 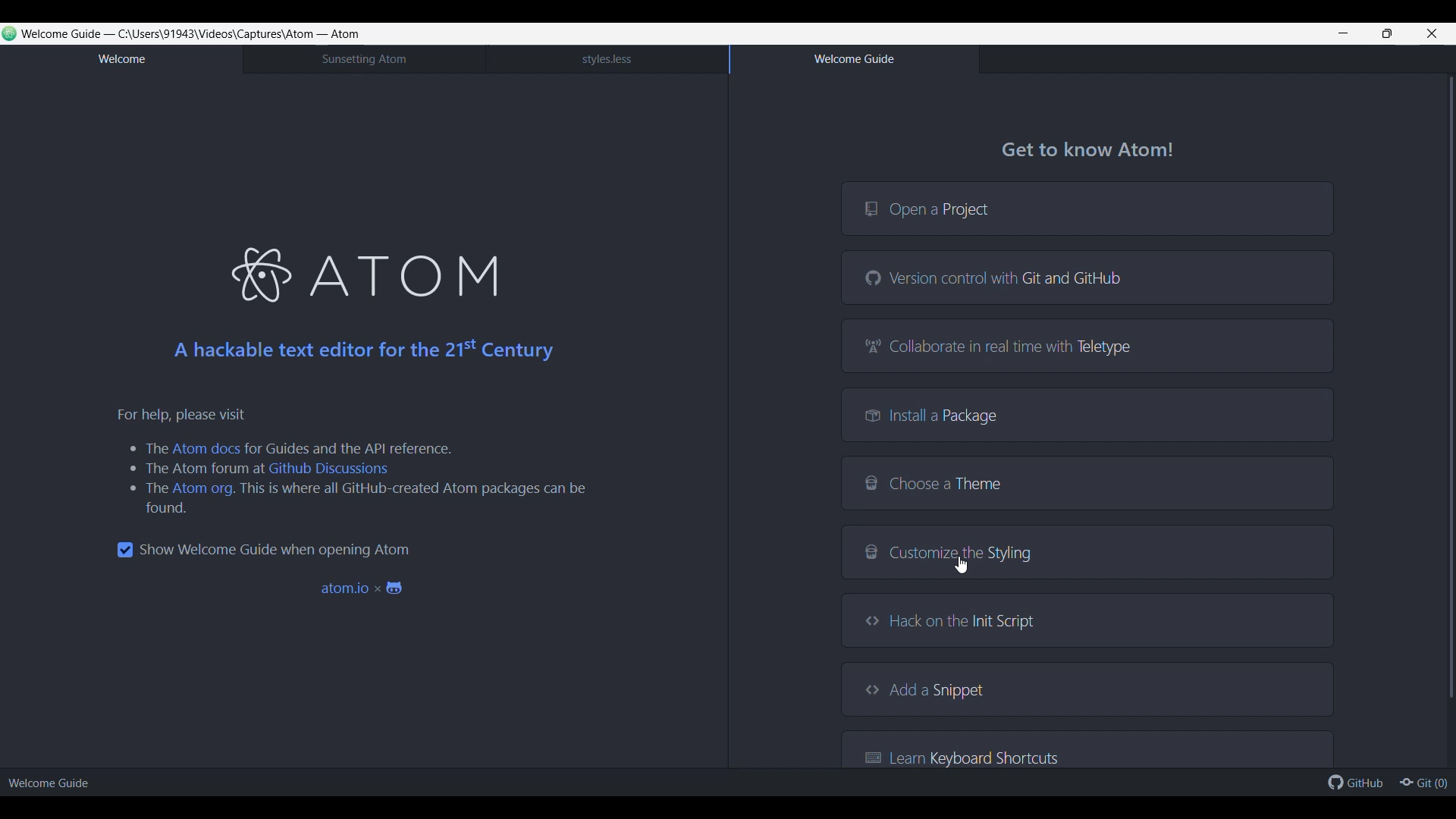 I want to click on atom.io x &9, so click(x=369, y=591).